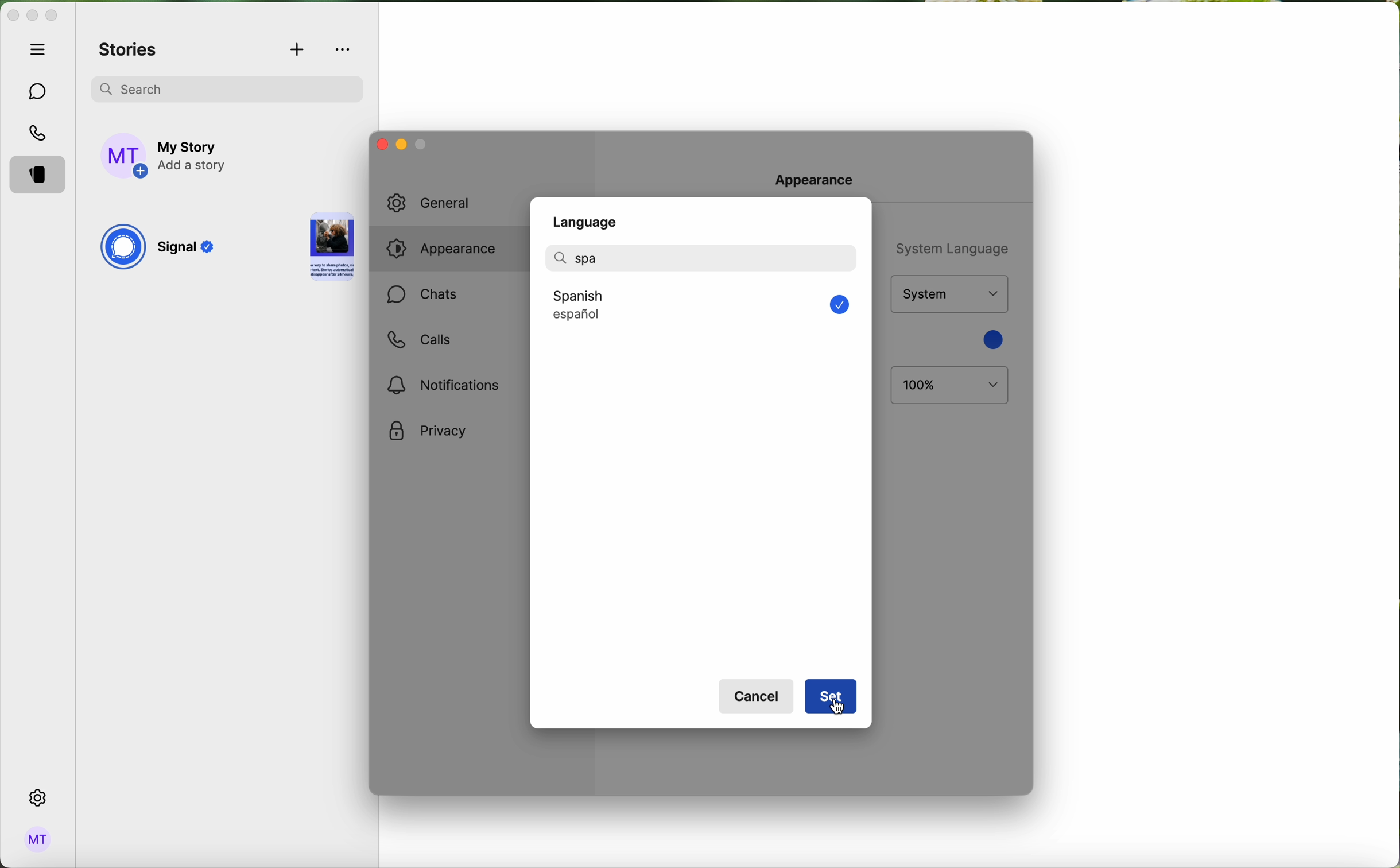 The width and height of the screenshot is (1400, 868). What do you see at coordinates (194, 157) in the screenshot?
I see `add story` at bounding box center [194, 157].